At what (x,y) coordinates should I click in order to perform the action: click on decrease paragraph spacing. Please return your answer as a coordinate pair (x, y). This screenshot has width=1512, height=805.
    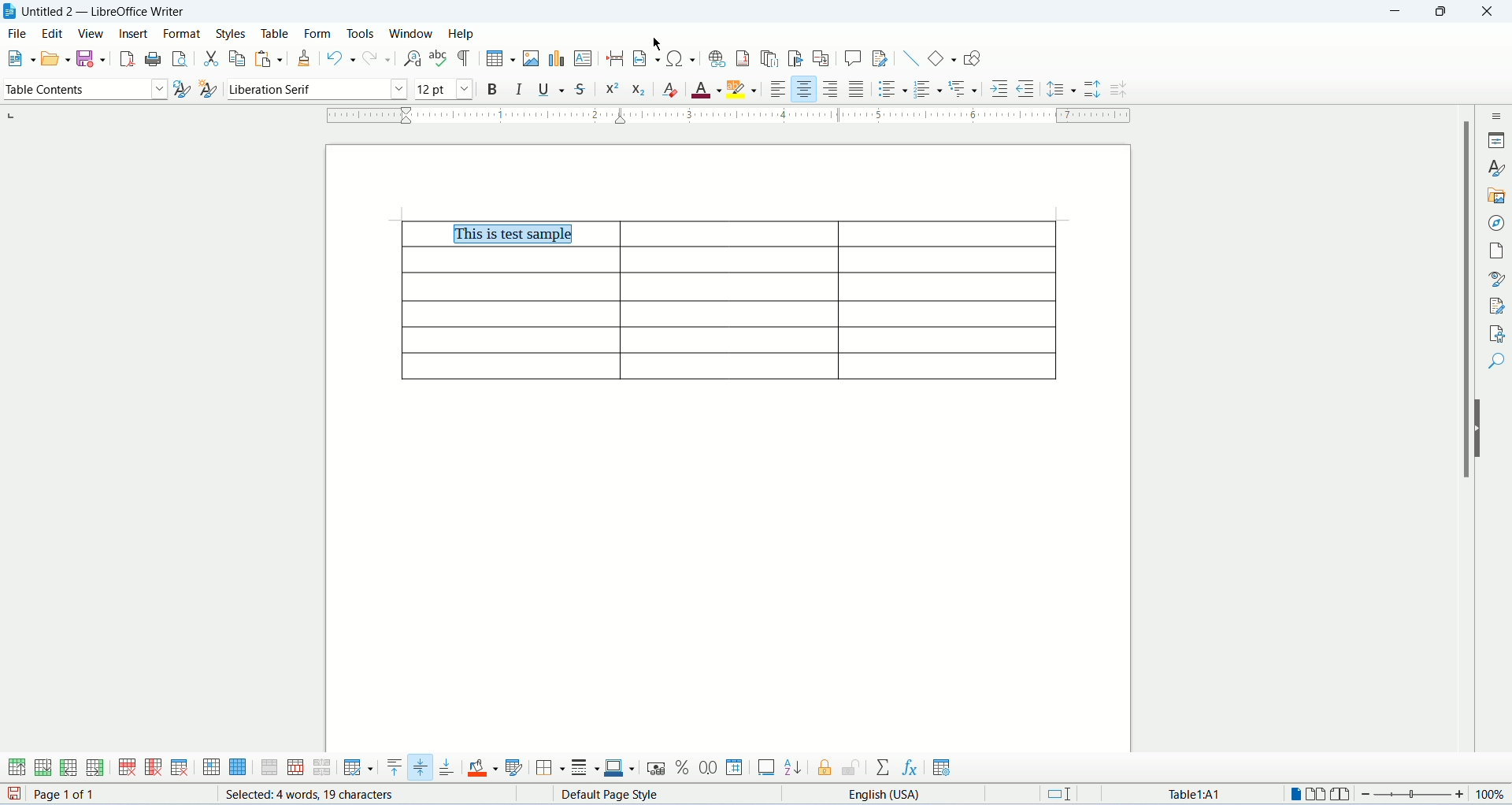
    Looking at the image, I should click on (1118, 89).